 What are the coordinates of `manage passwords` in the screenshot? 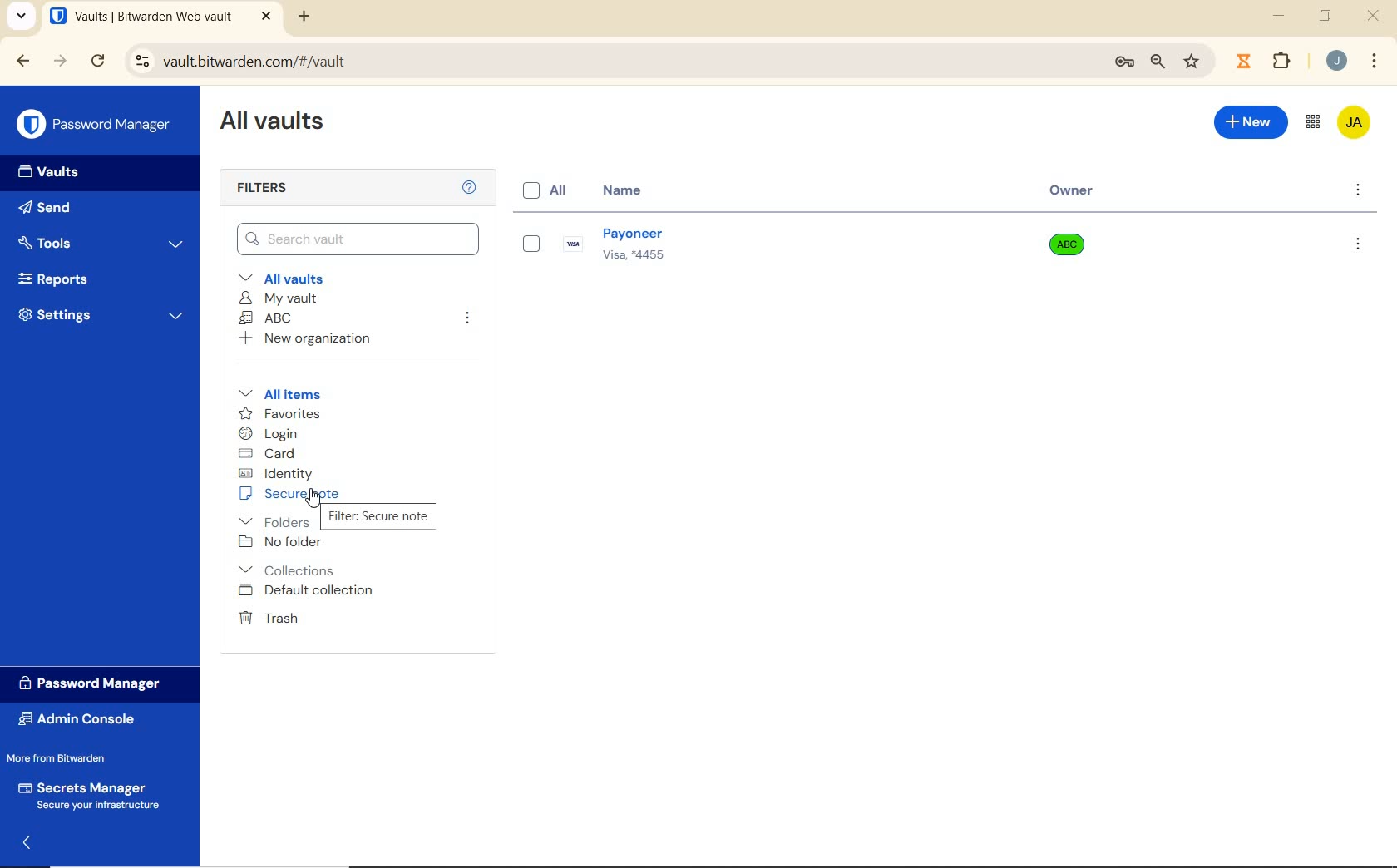 It's located at (1124, 65).